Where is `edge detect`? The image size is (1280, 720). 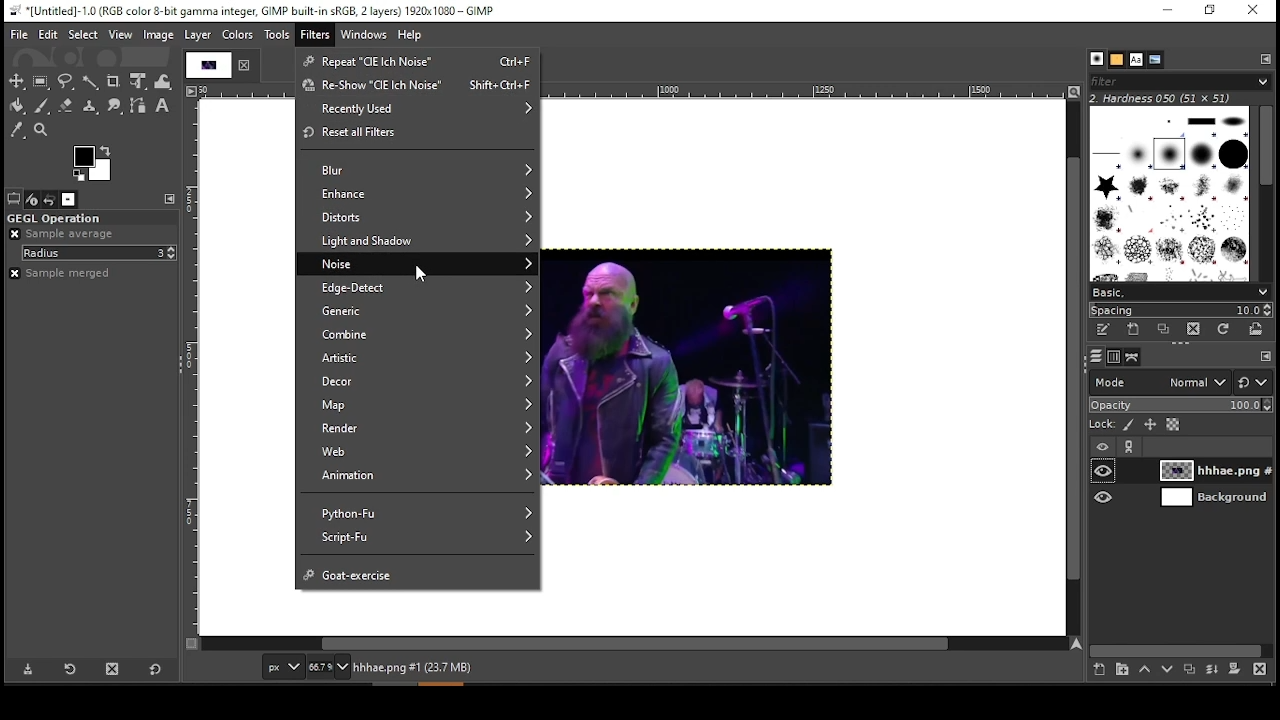
edge detect is located at coordinates (421, 288).